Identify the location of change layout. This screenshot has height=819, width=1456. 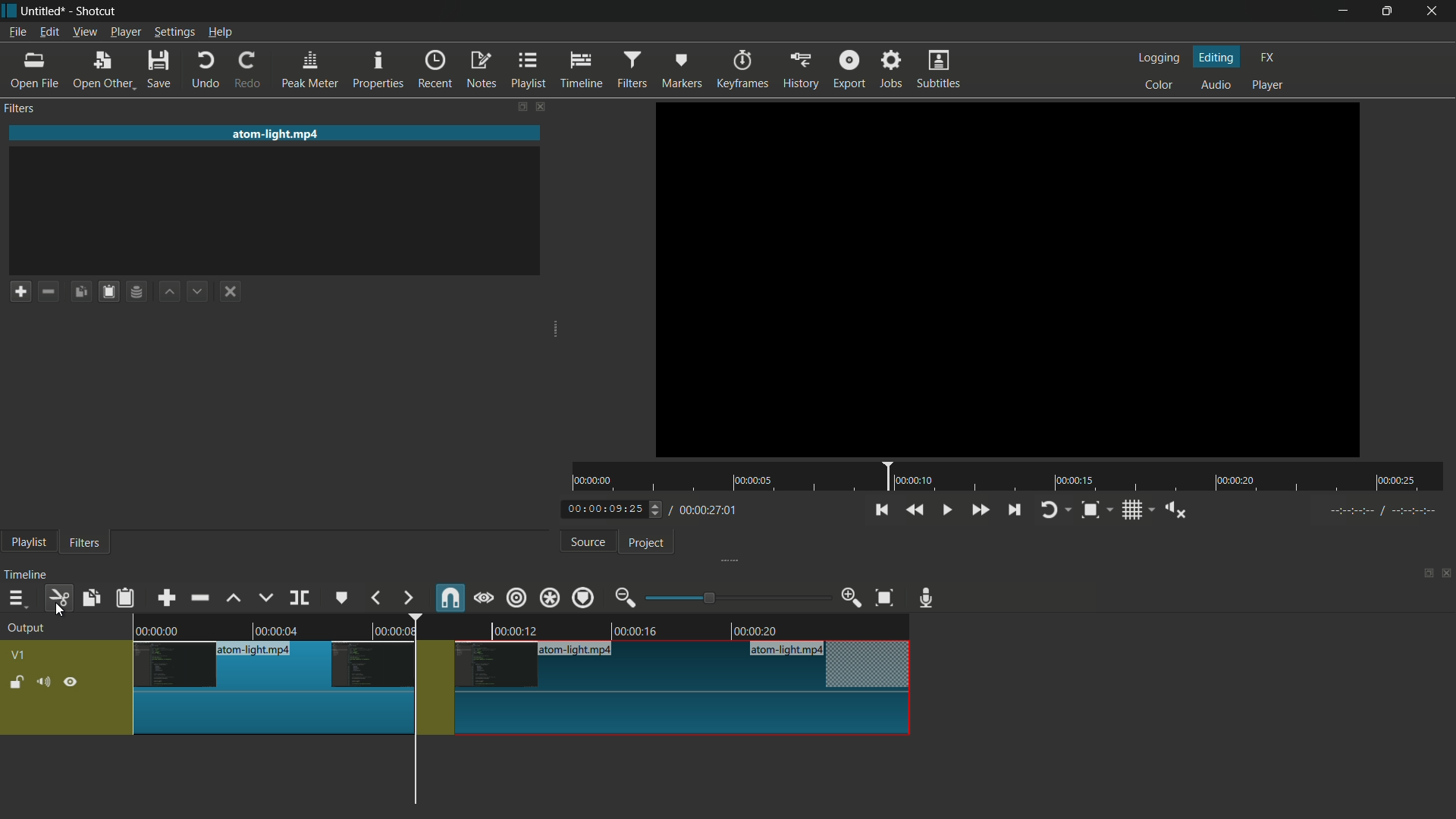
(1423, 572).